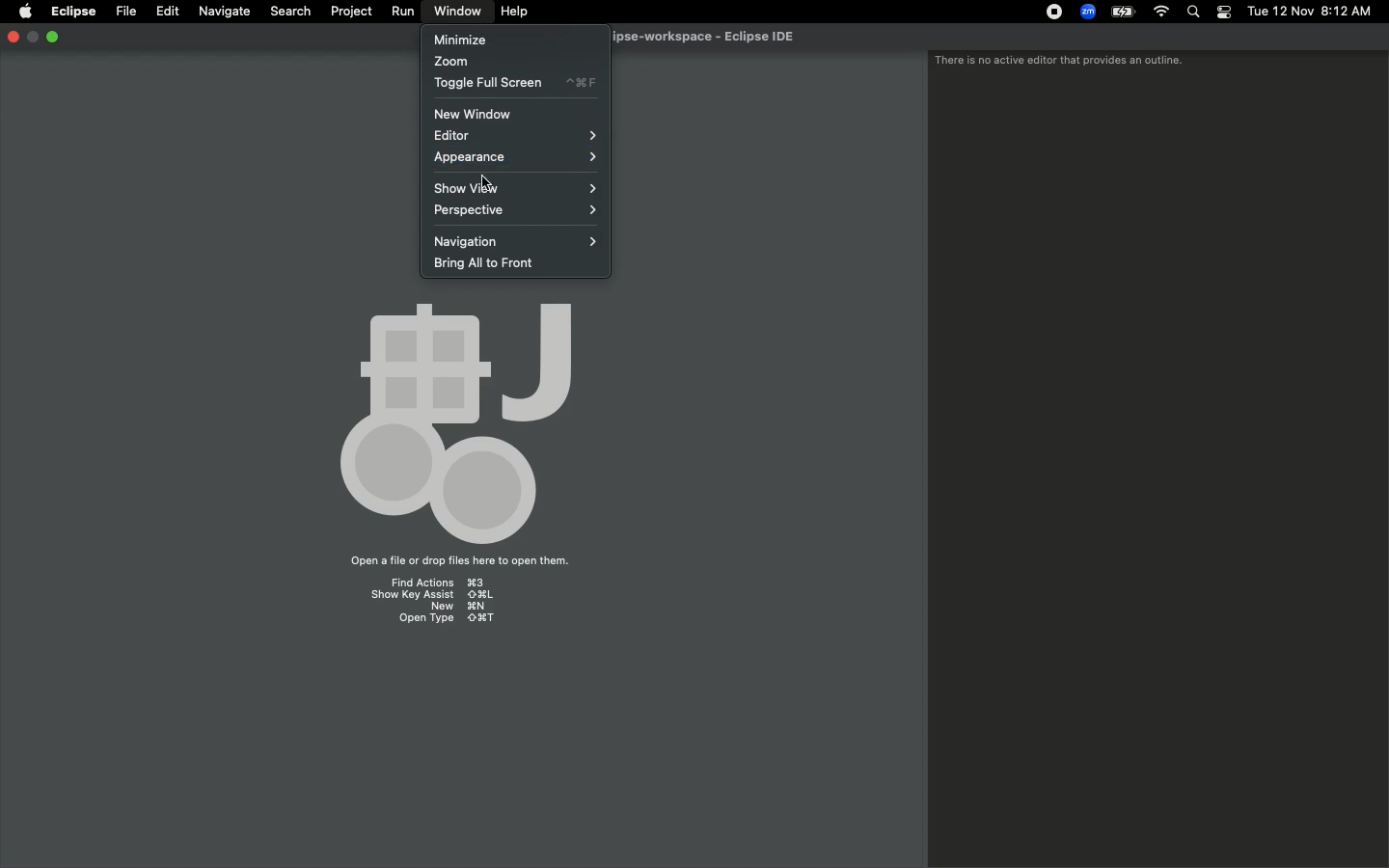 The width and height of the screenshot is (1389, 868). I want to click on Show key assist, so click(433, 594).